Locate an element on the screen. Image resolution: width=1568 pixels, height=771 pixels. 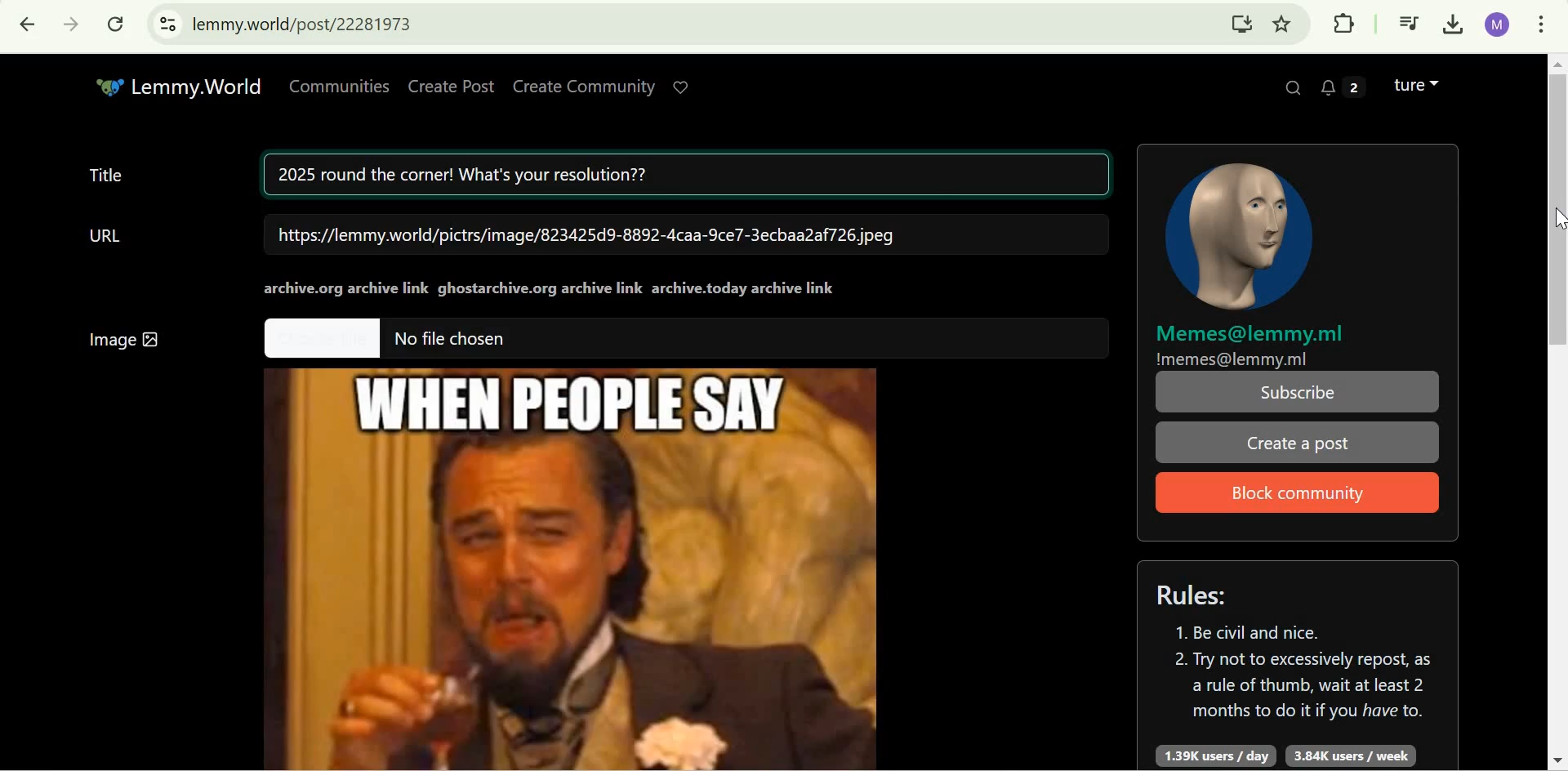
1. Be civil and nice. is located at coordinates (1258, 633).